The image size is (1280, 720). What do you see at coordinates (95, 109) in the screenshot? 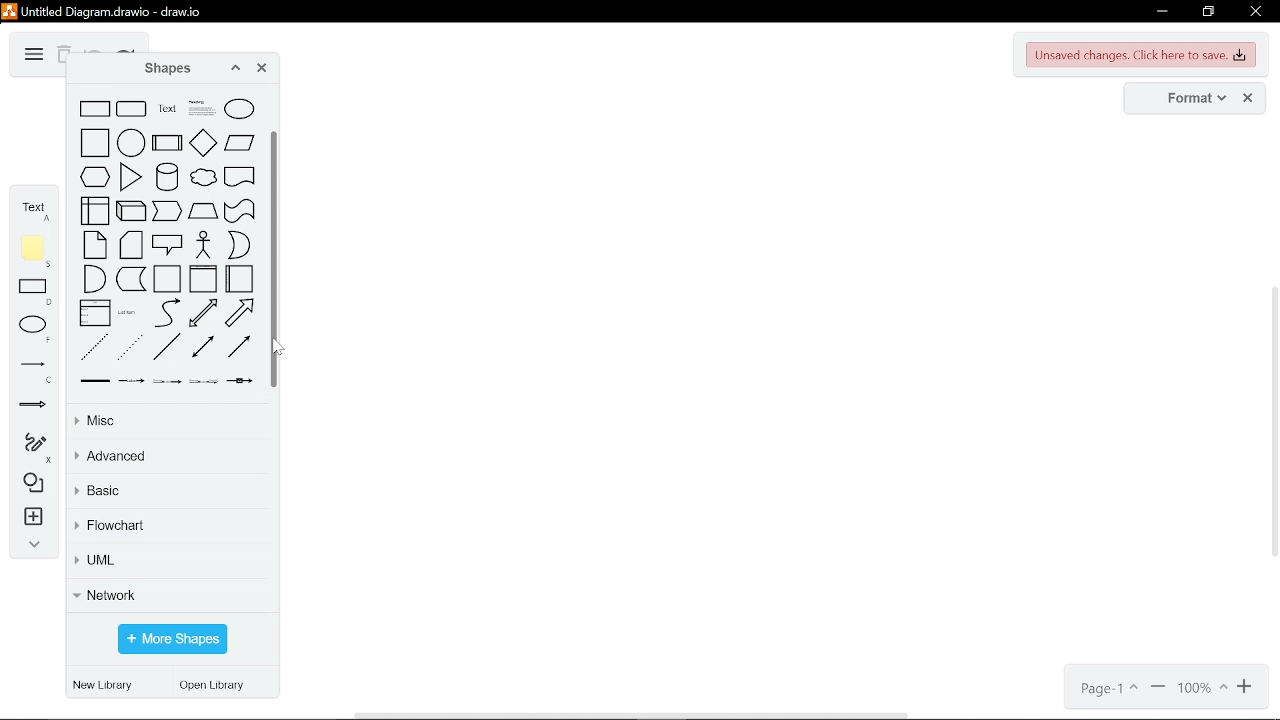
I see `rectangle` at bounding box center [95, 109].